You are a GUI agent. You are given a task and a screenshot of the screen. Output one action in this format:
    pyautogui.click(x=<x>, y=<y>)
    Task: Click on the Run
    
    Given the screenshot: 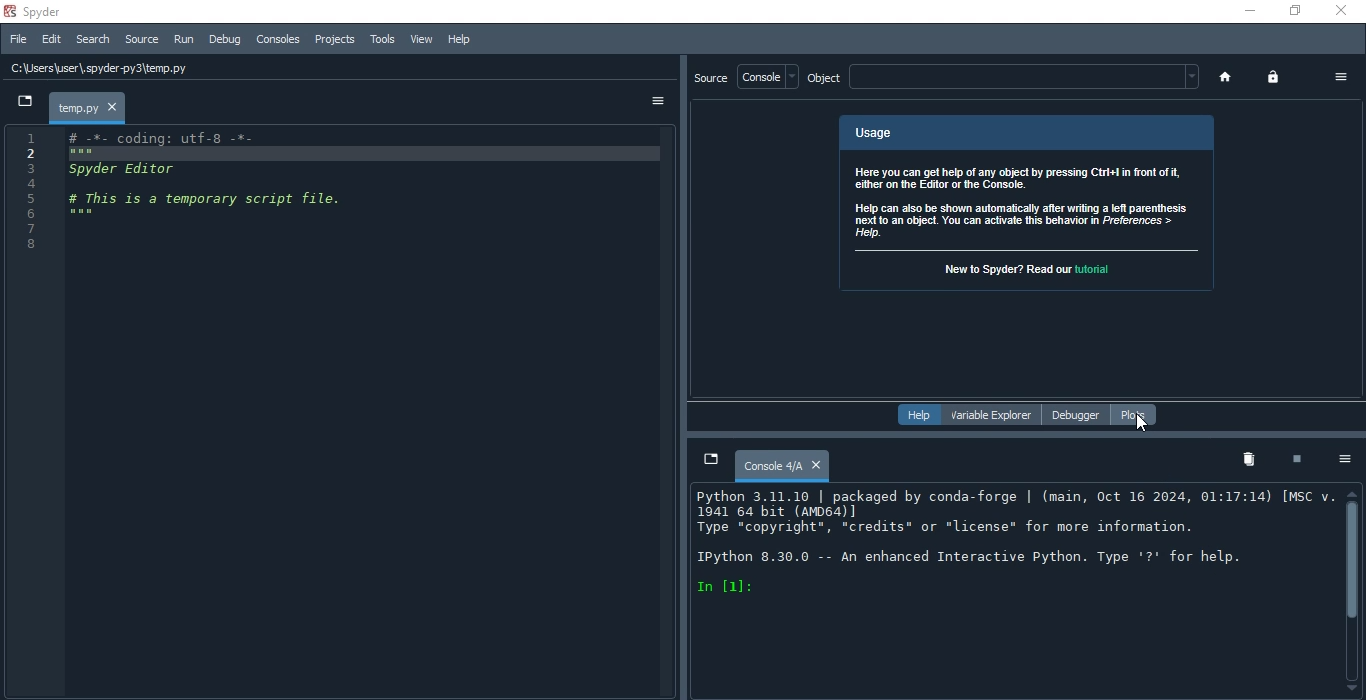 What is the action you would take?
    pyautogui.click(x=180, y=39)
    